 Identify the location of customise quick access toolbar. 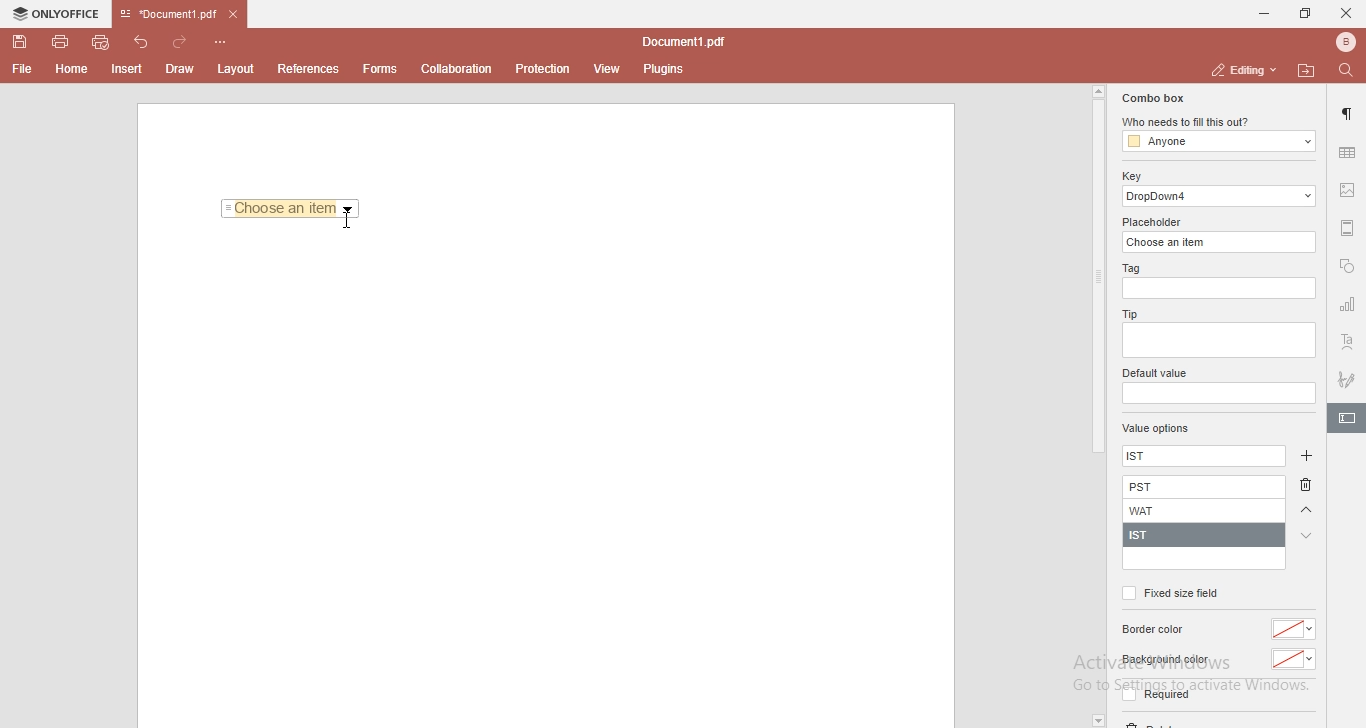
(224, 41).